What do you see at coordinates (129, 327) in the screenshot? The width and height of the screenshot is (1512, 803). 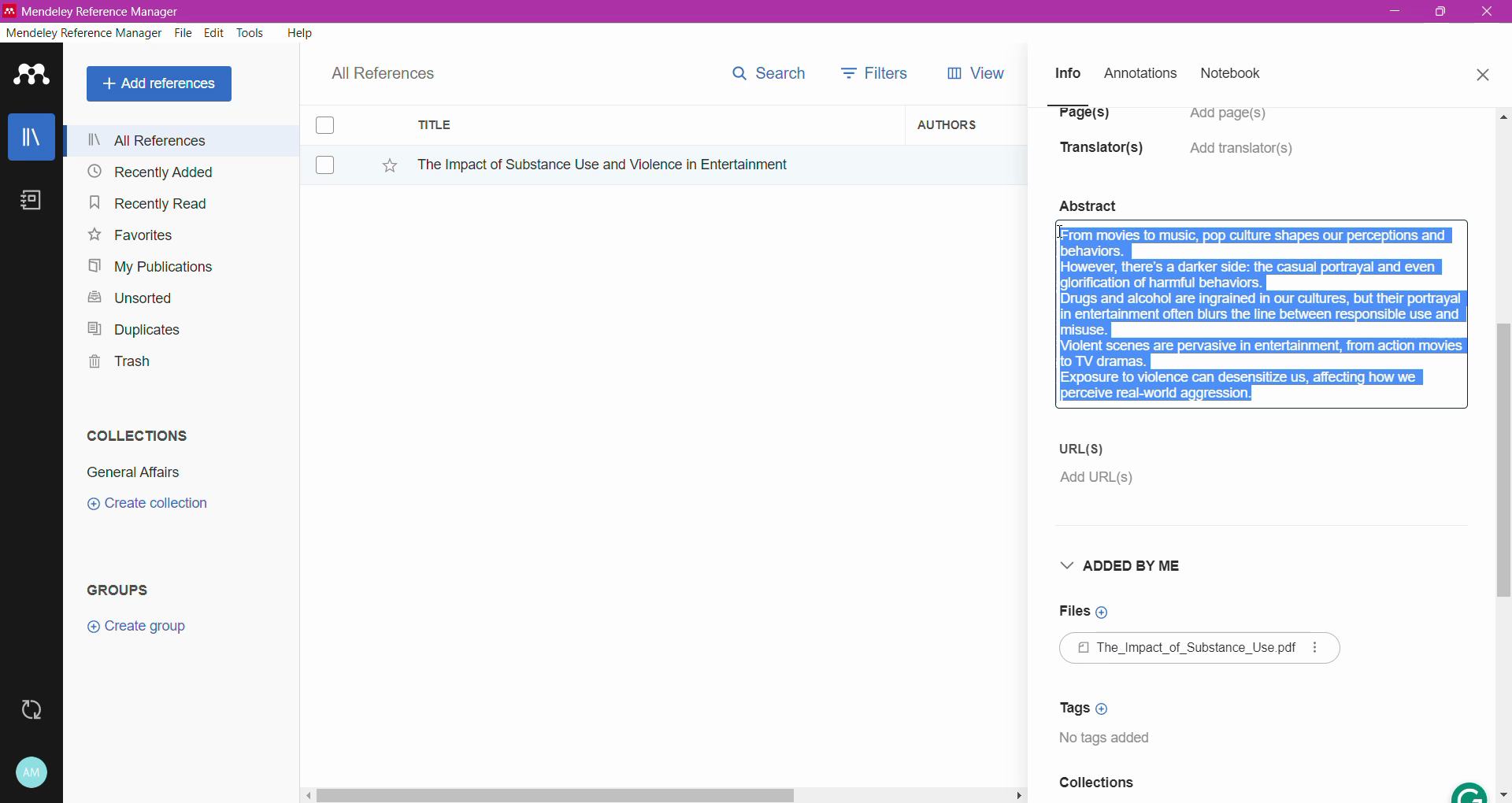 I see `Duplicates` at bounding box center [129, 327].